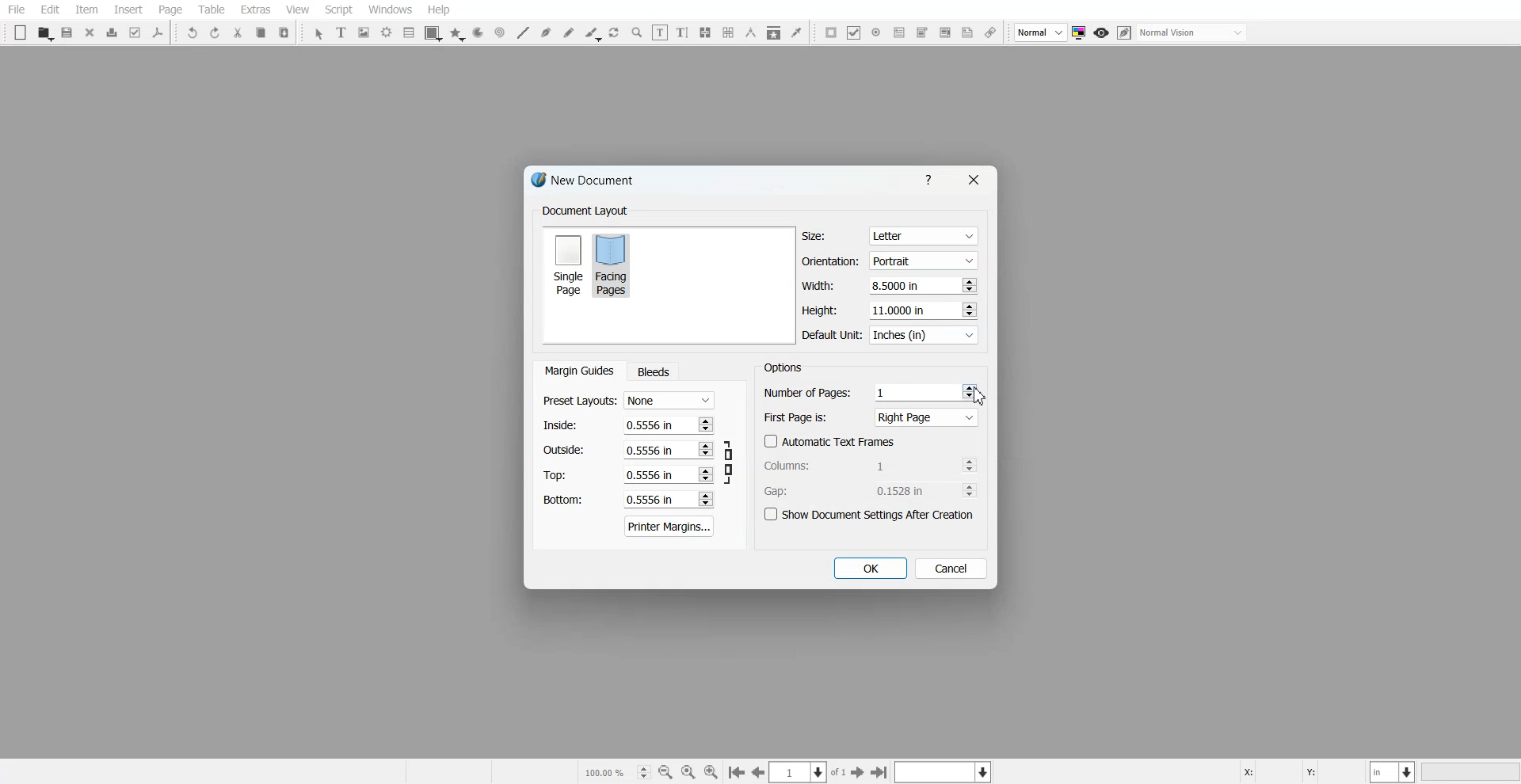 The image size is (1521, 784). What do you see at coordinates (970, 391) in the screenshot?
I see `Increase and decrease No. ` at bounding box center [970, 391].